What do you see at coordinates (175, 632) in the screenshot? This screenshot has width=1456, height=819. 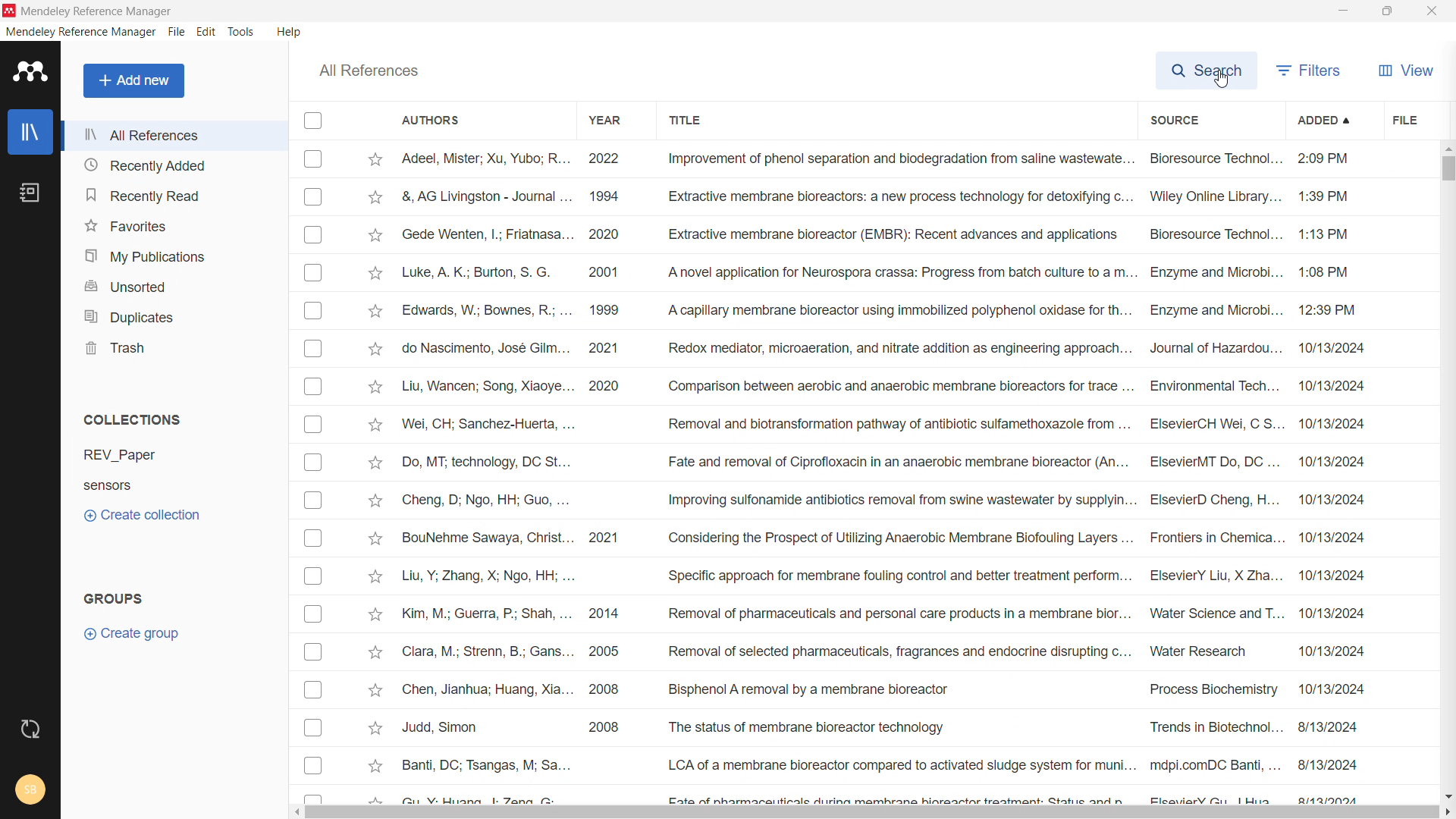 I see `create group` at bounding box center [175, 632].